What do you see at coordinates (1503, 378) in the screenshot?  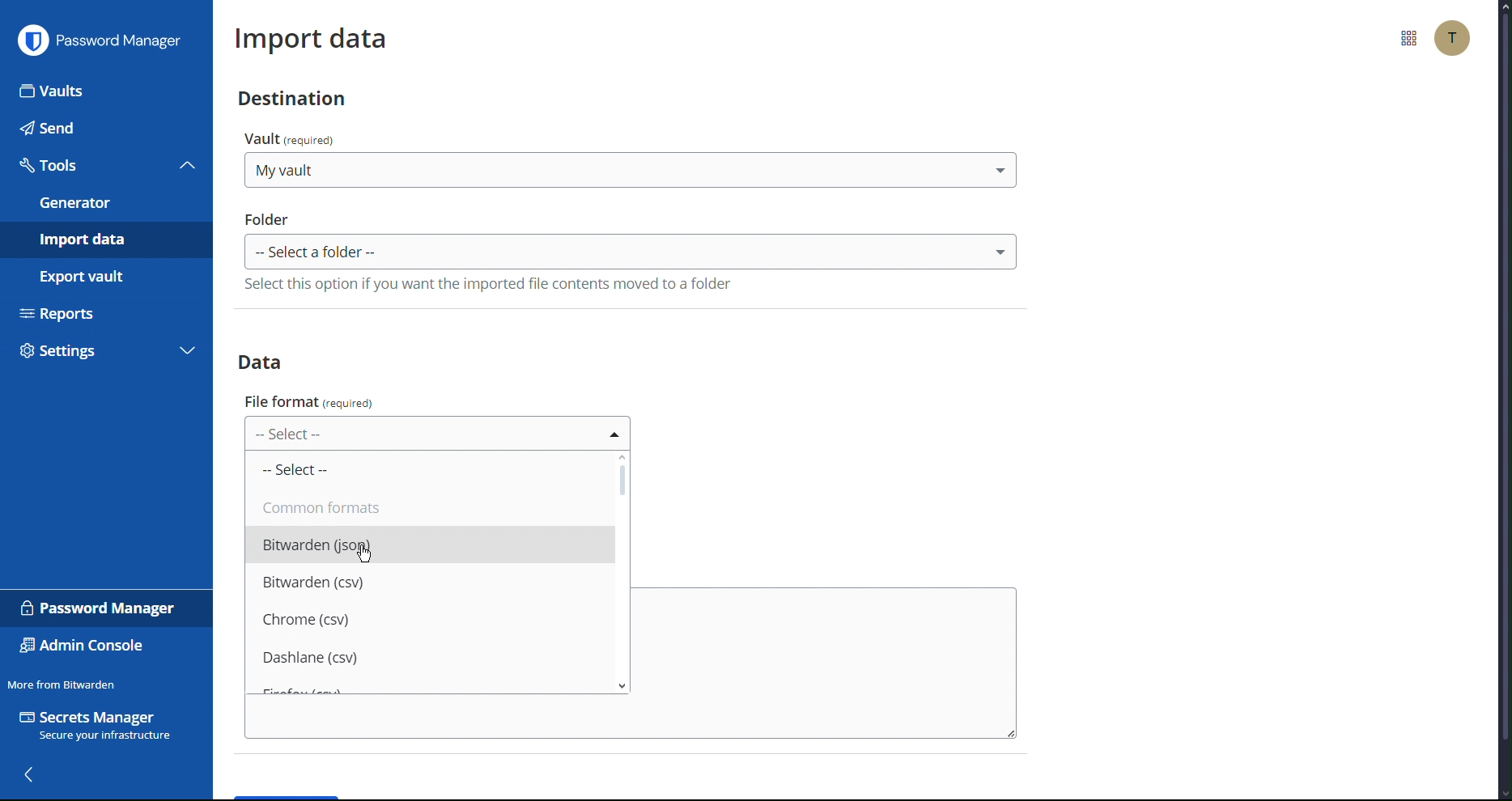 I see `scrollbar` at bounding box center [1503, 378].